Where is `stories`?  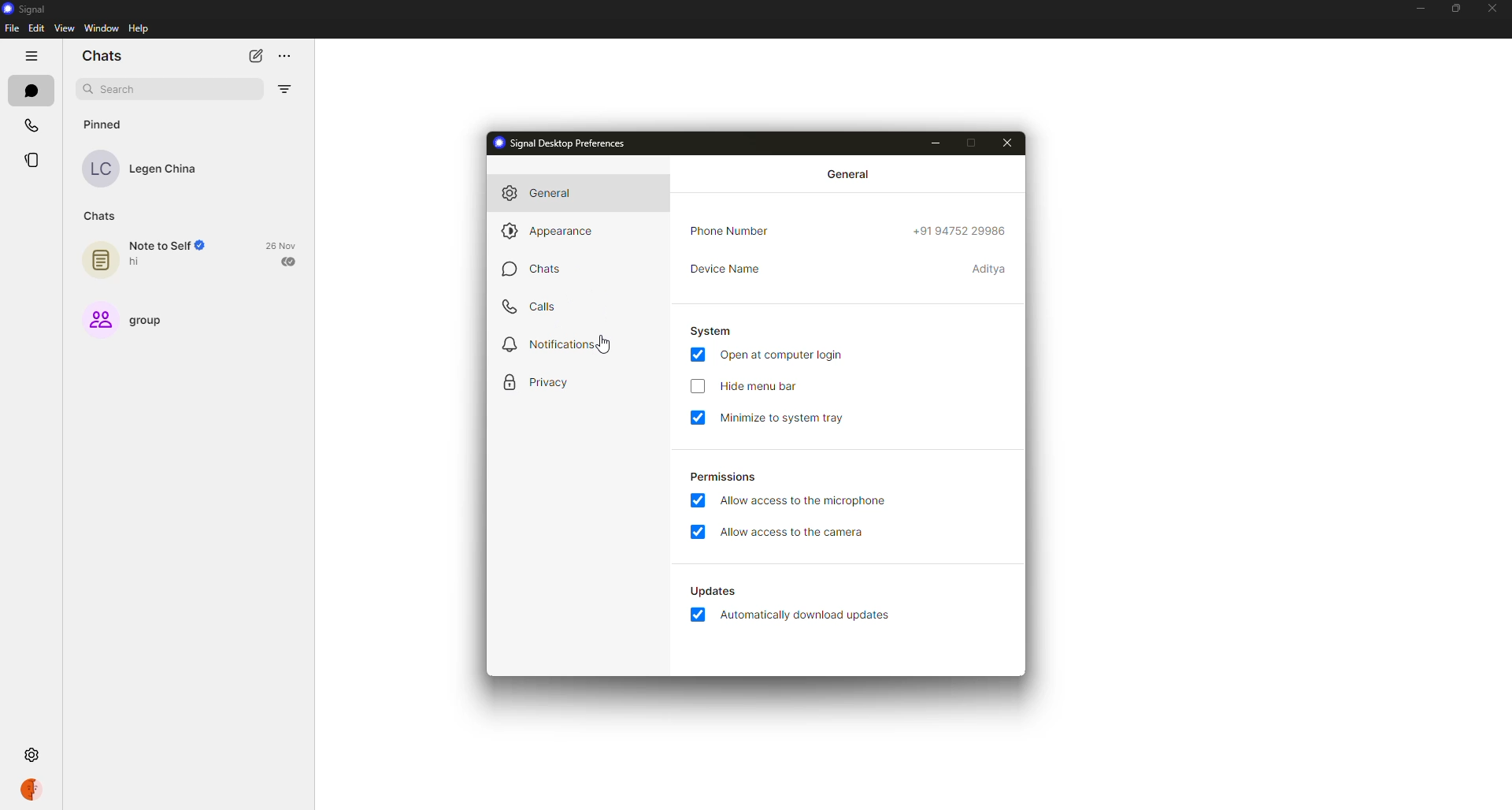
stories is located at coordinates (39, 160).